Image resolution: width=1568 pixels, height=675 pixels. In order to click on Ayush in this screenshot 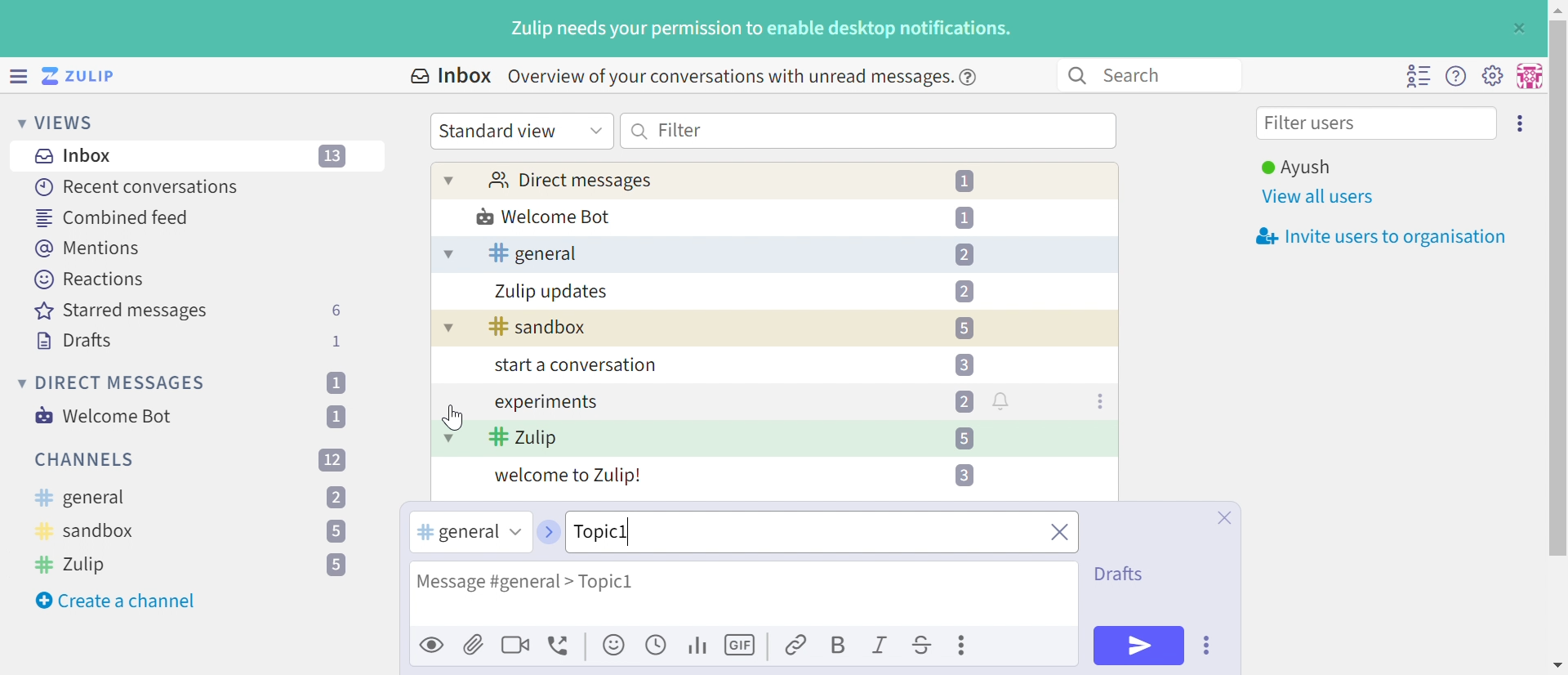, I will do `click(1294, 168)`.